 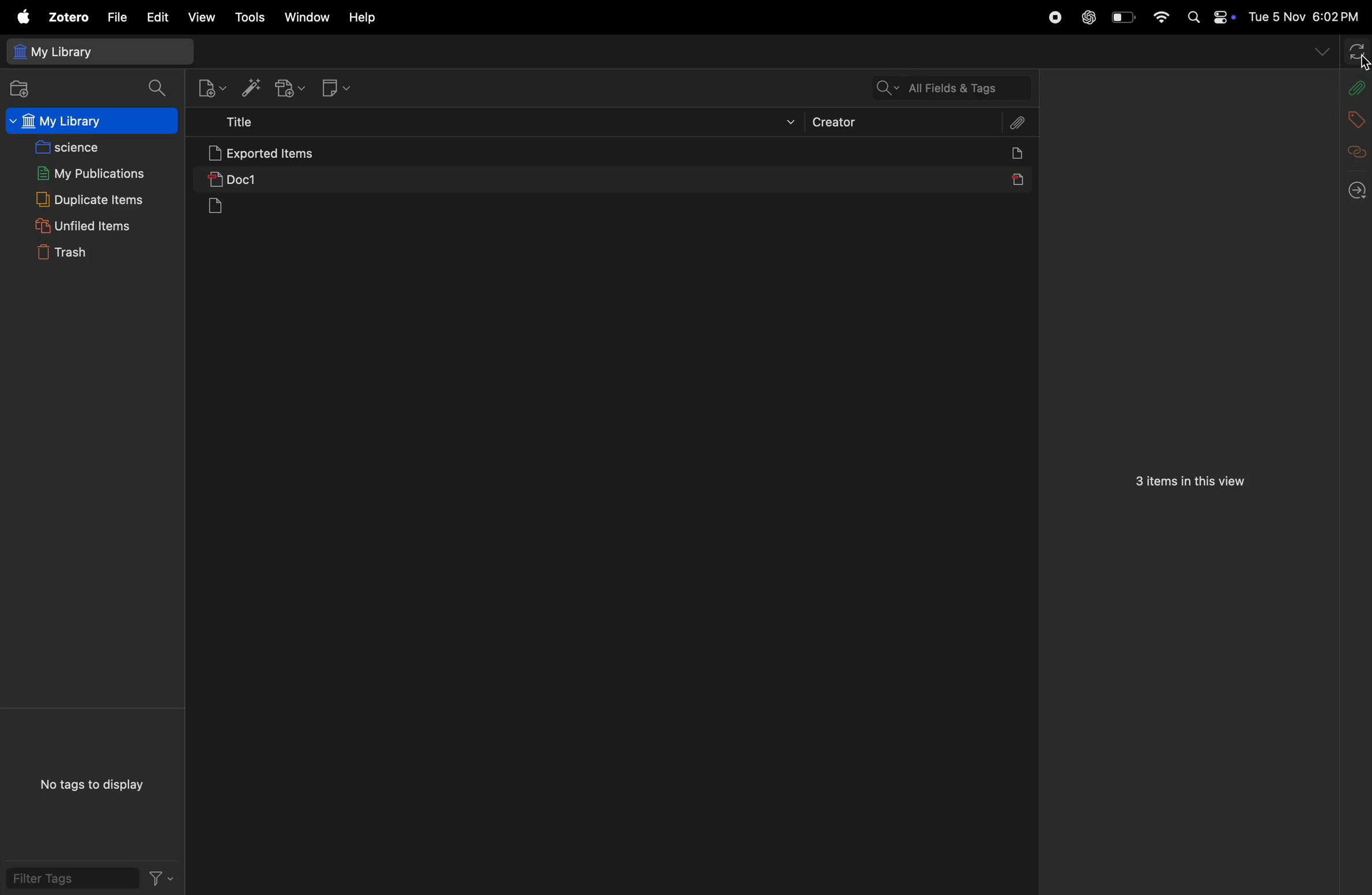 What do you see at coordinates (20, 16) in the screenshot?
I see `apple menu` at bounding box center [20, 16].